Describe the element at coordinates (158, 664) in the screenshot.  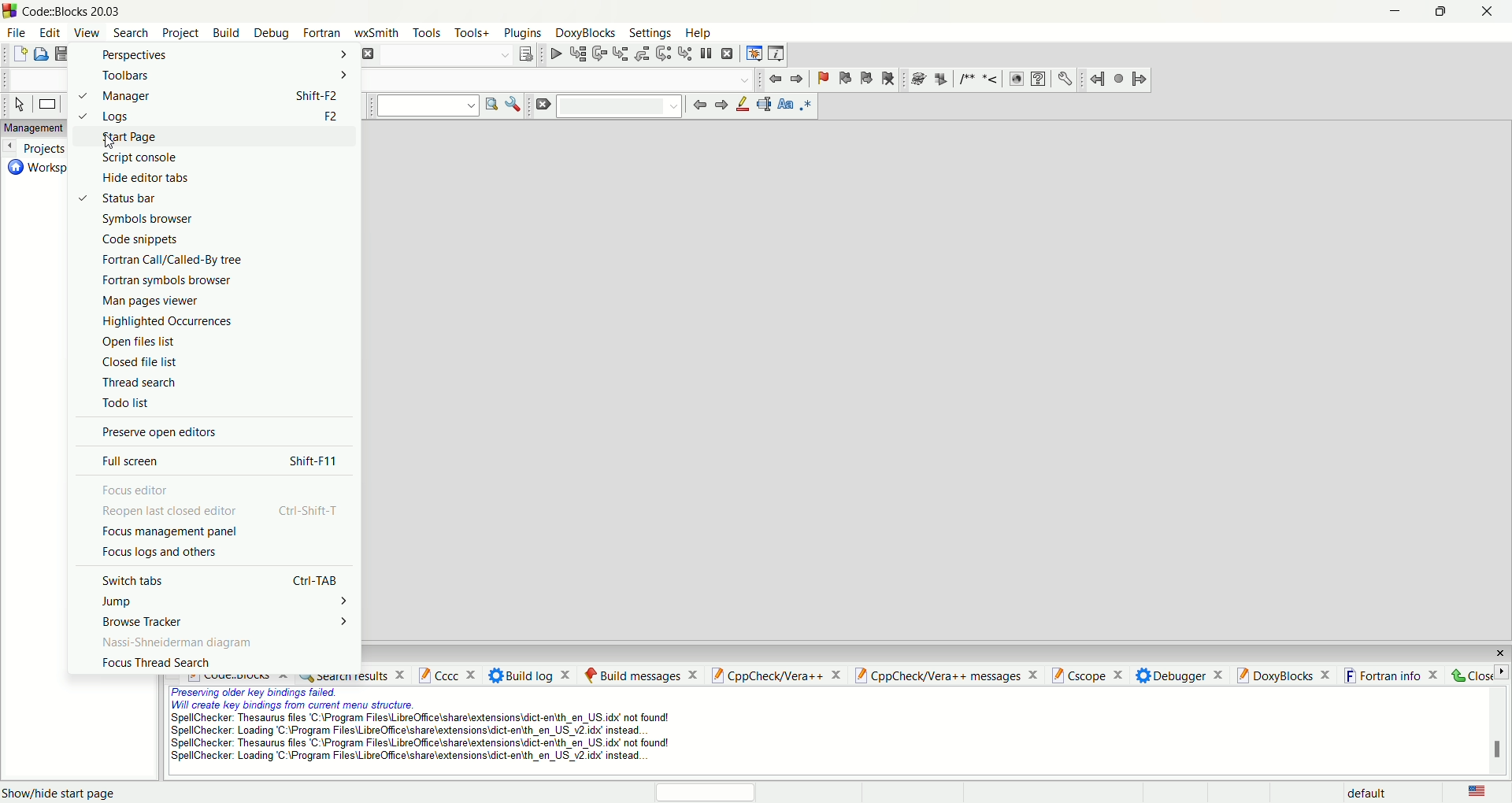
I see `focus thread search` at that location.